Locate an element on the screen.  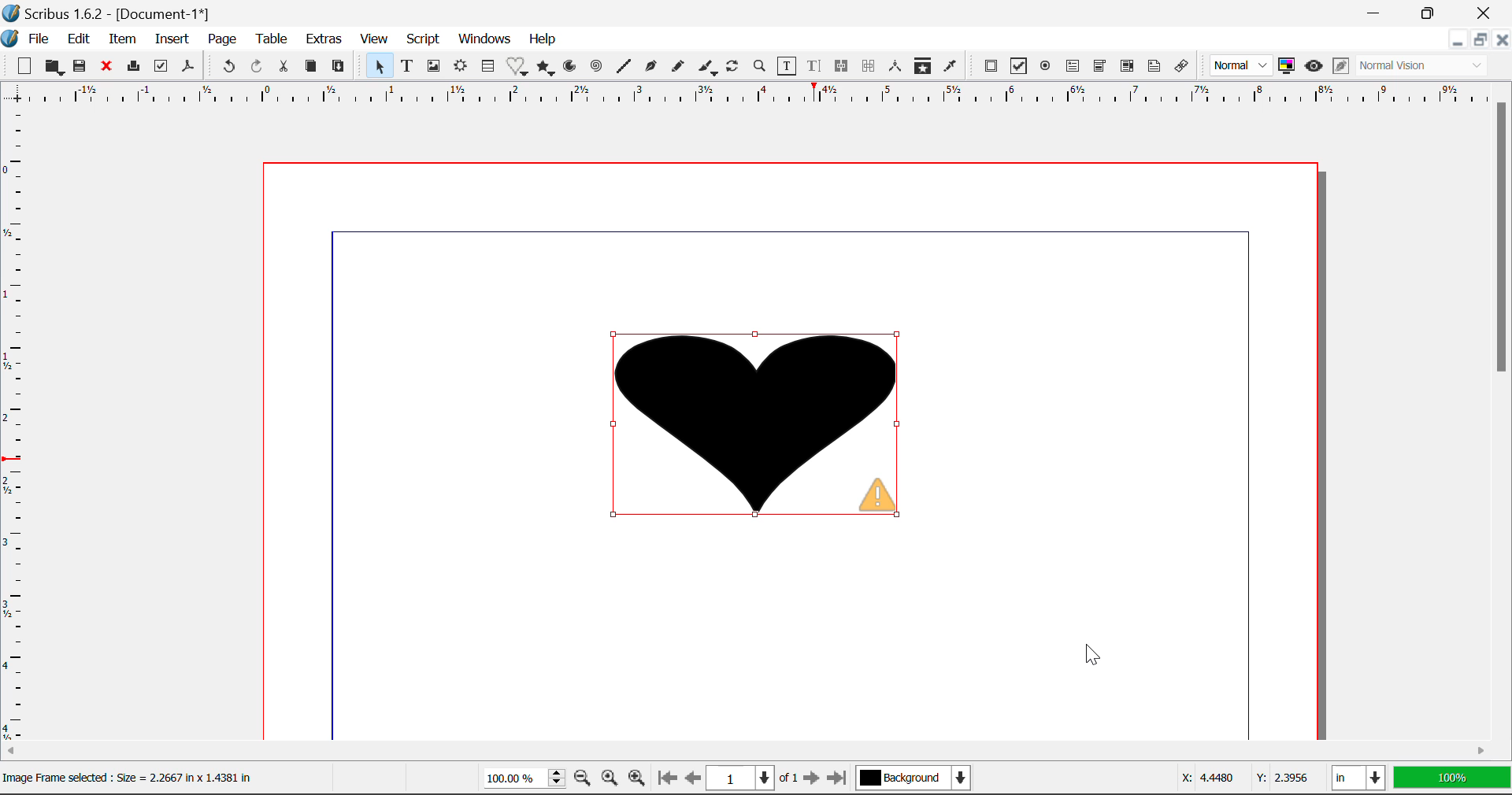
Zoom is located at coordinates (762, 68).